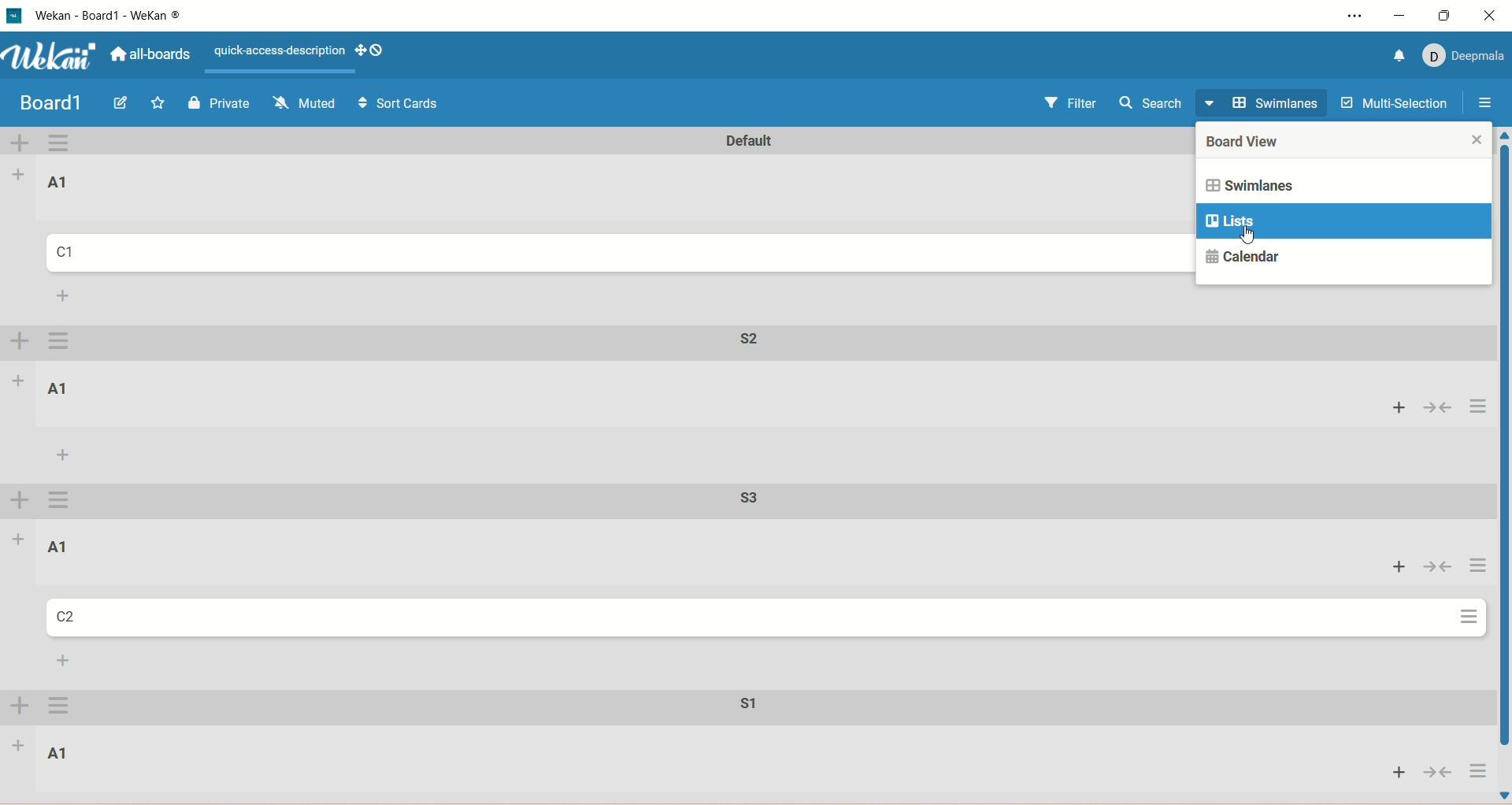  What do you see at coordinates (1395, 54) in the screenshot?
I see `notification` at bounding box center [1395, 54].